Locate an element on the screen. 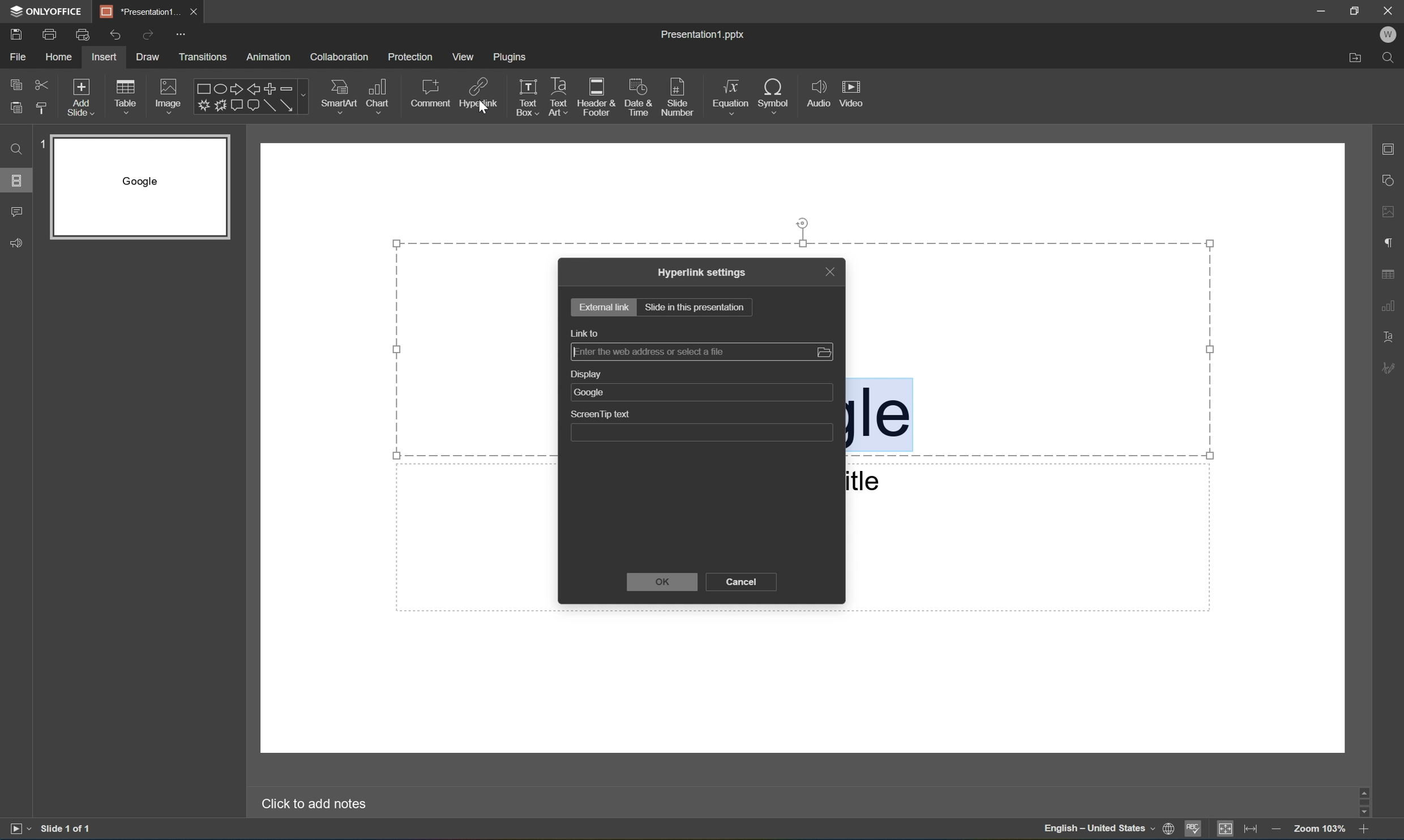  Scroll bar is located at coordinates (1364, 801).